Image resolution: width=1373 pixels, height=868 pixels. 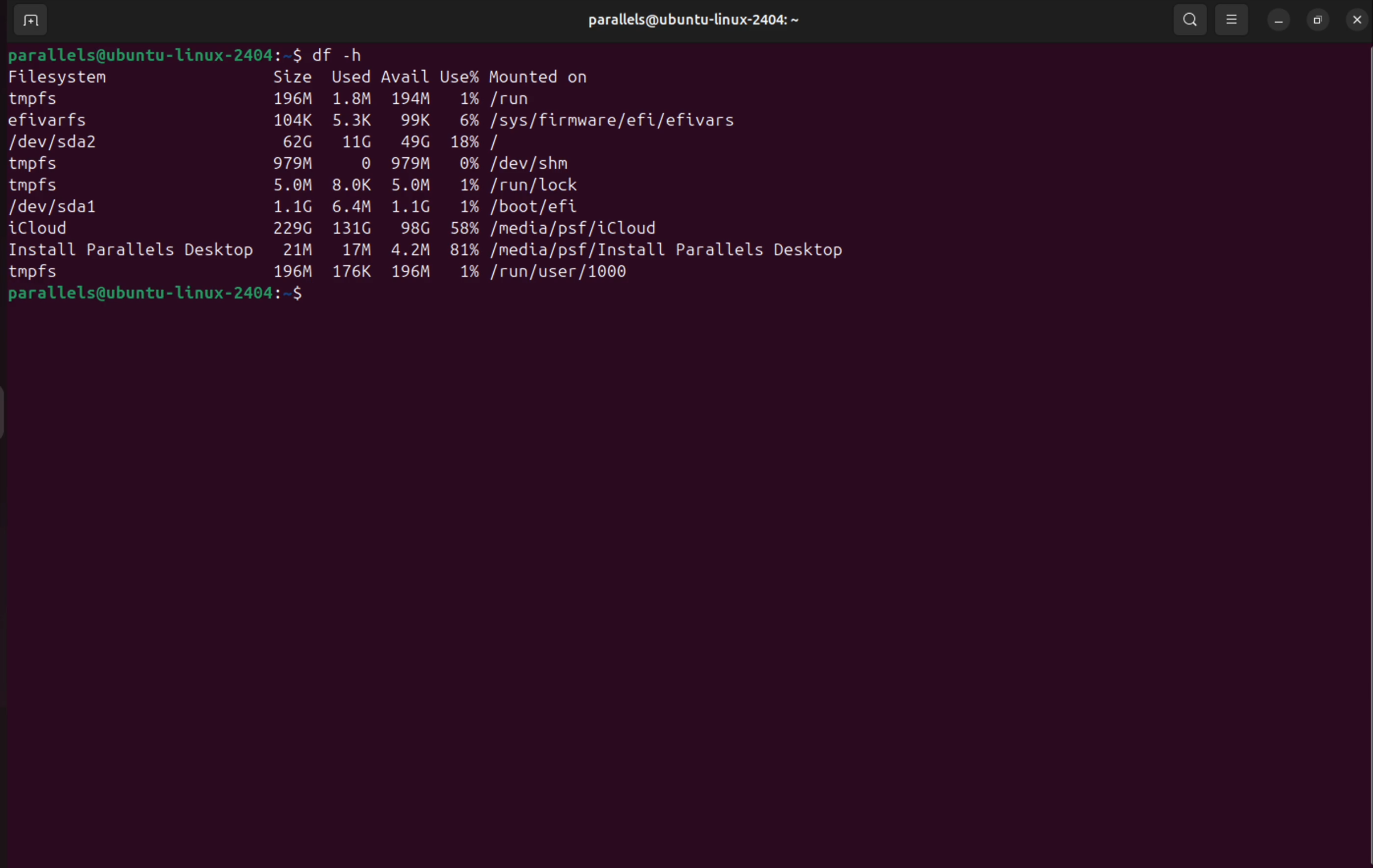 What do you see at coordinates (354, 250) in the screenshot?
I see `17 m` at bounding box center [354, 250].